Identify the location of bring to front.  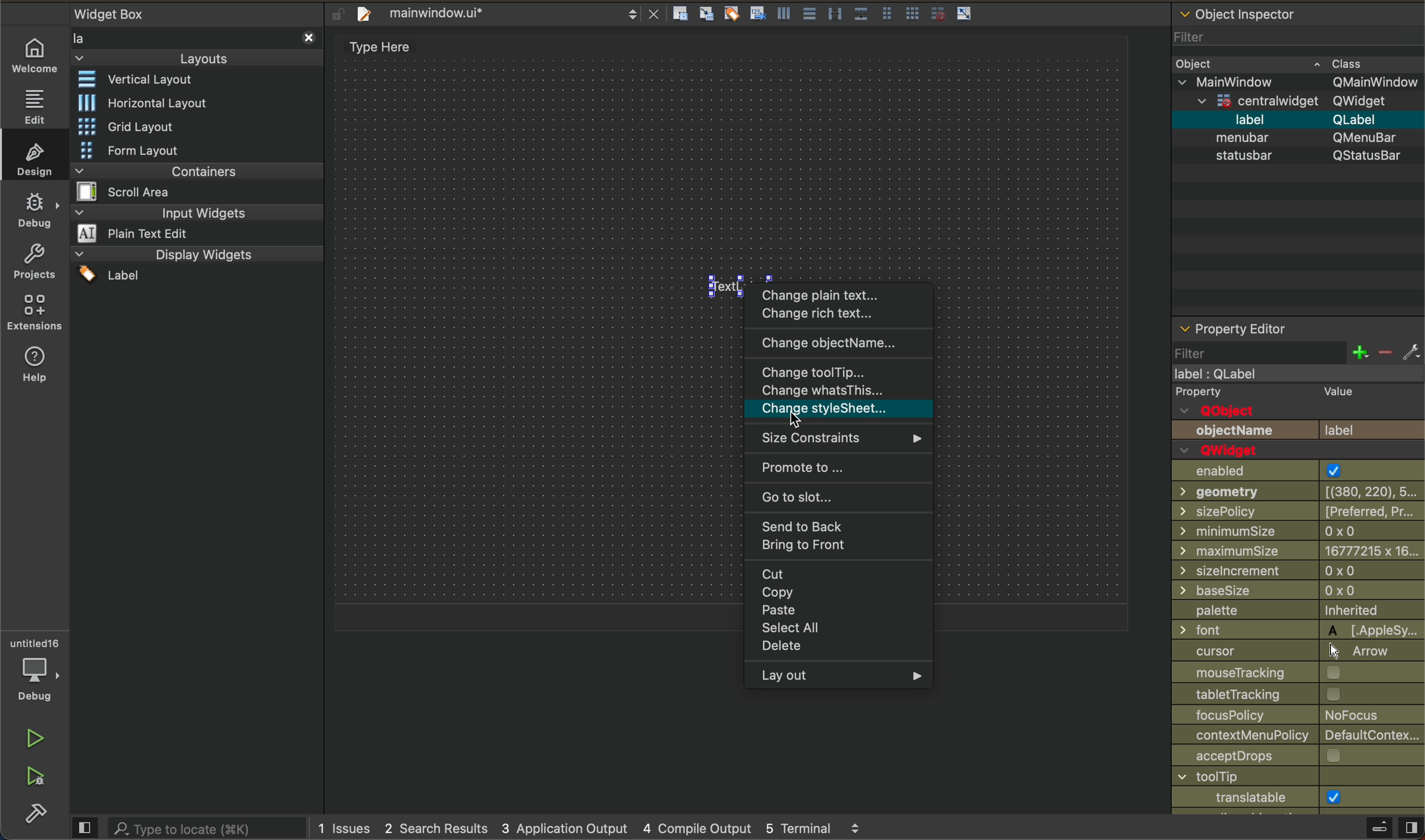
(841, 548).